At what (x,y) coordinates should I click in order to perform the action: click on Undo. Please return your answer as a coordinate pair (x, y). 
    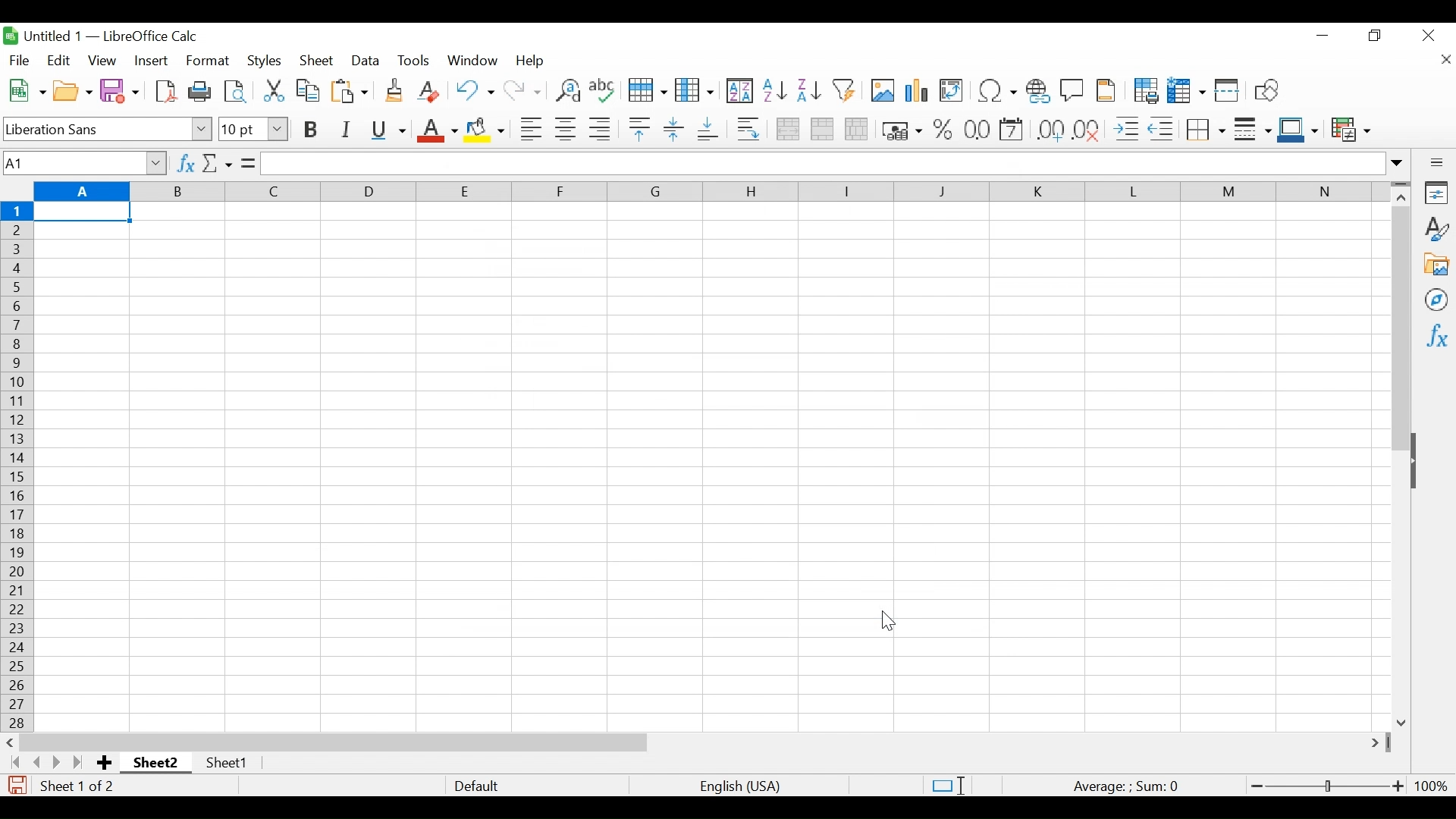
    Looking at the image, I should click on (474, 90).